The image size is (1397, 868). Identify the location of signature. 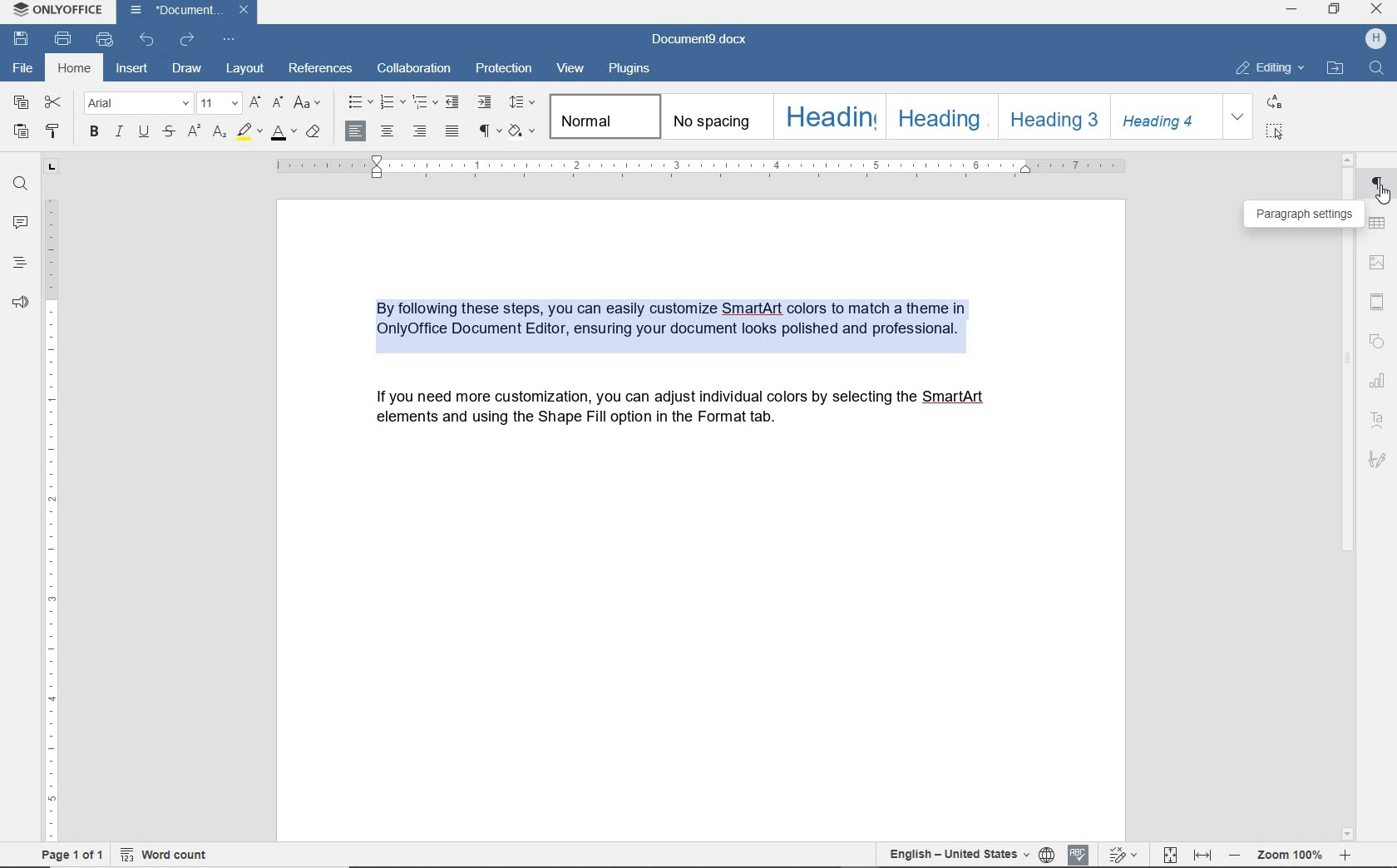
(1376, 462).